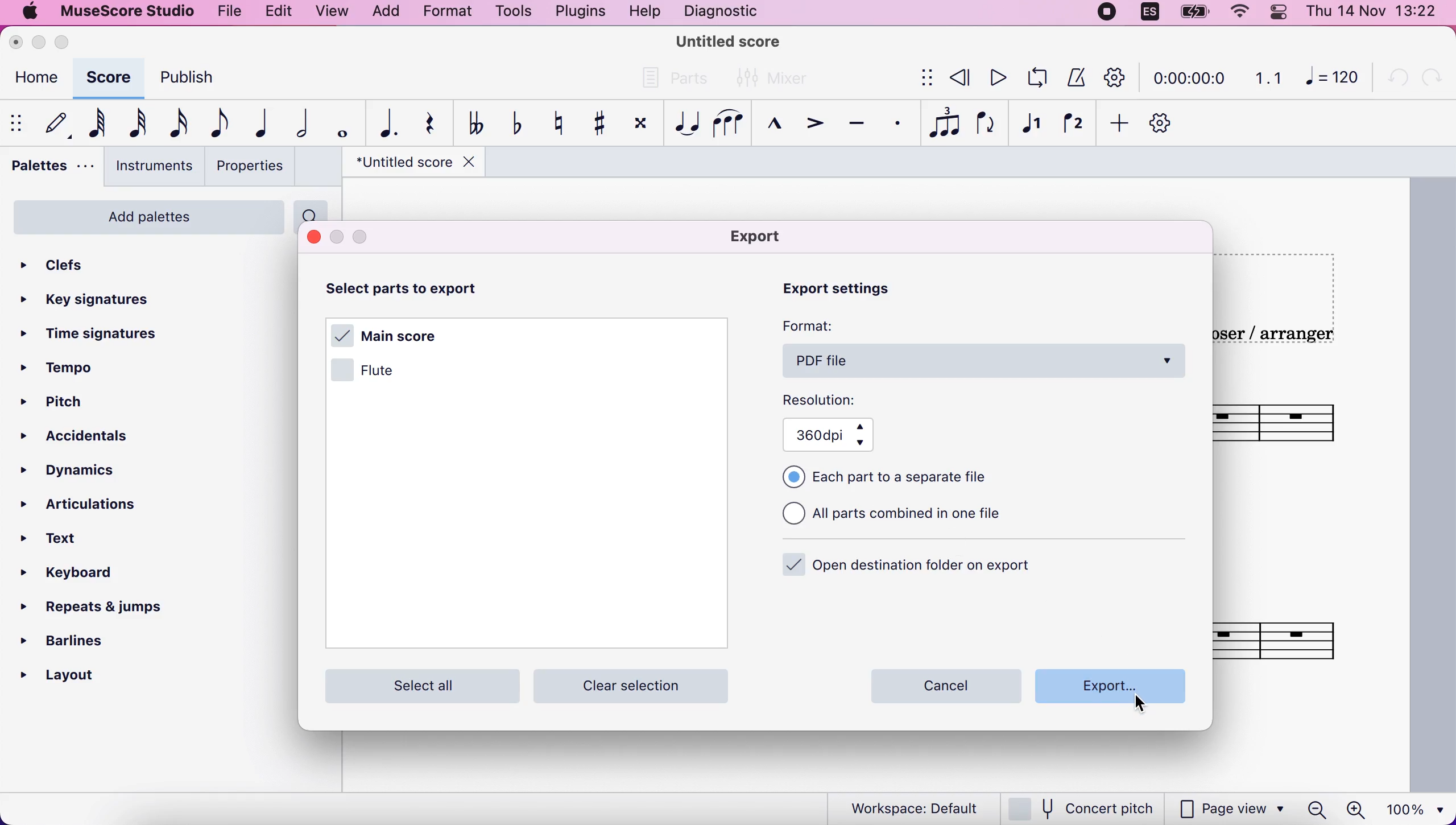 The height and width of the screenshot is (825, 1456). Describe the element at coordinates (729, 40) in the screenshot. I see `title` at that location.